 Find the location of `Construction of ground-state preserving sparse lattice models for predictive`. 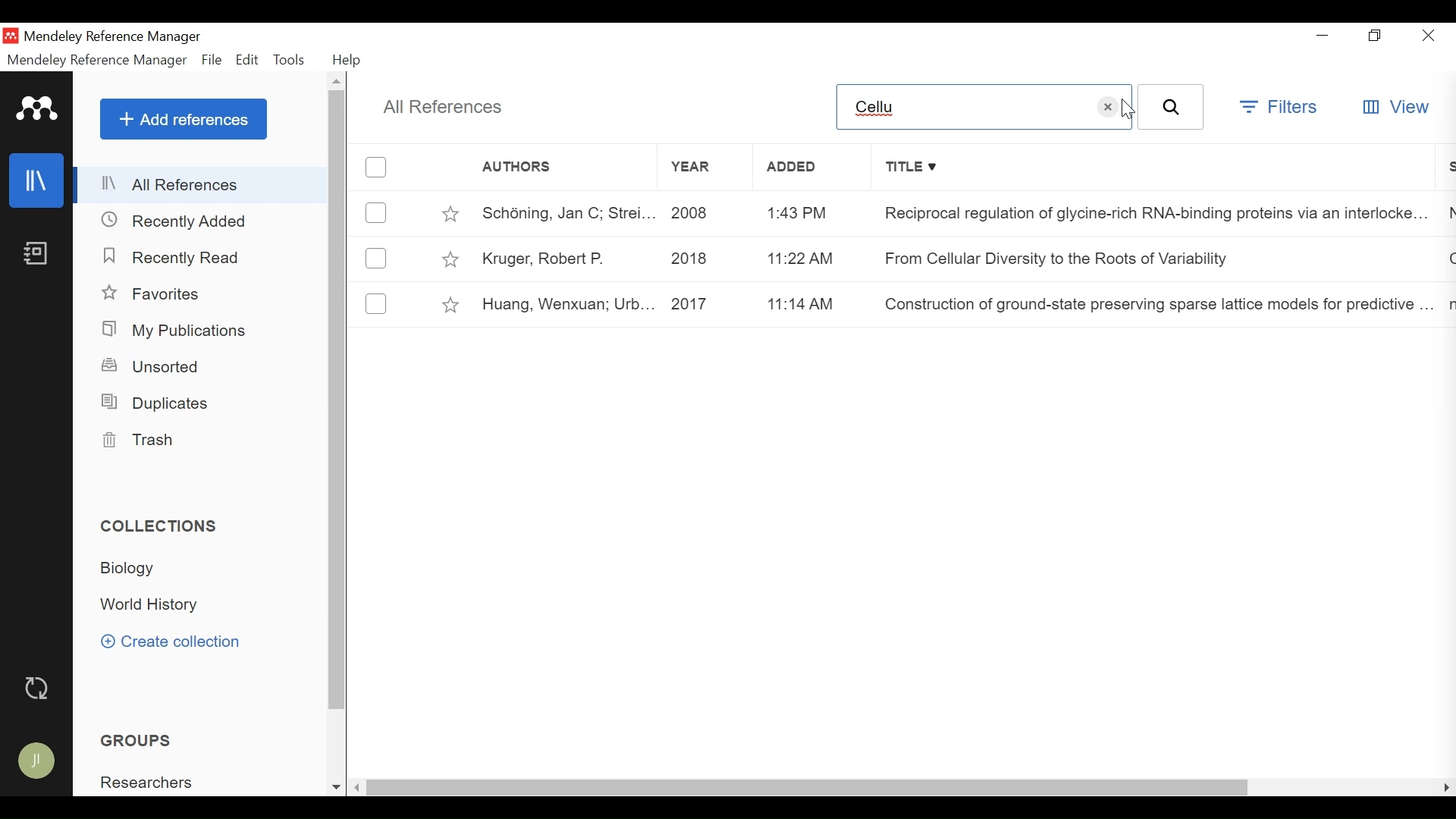

Construction of ground-state preserving sparse lattice models for predictive is located at coordinates (1151, 300).